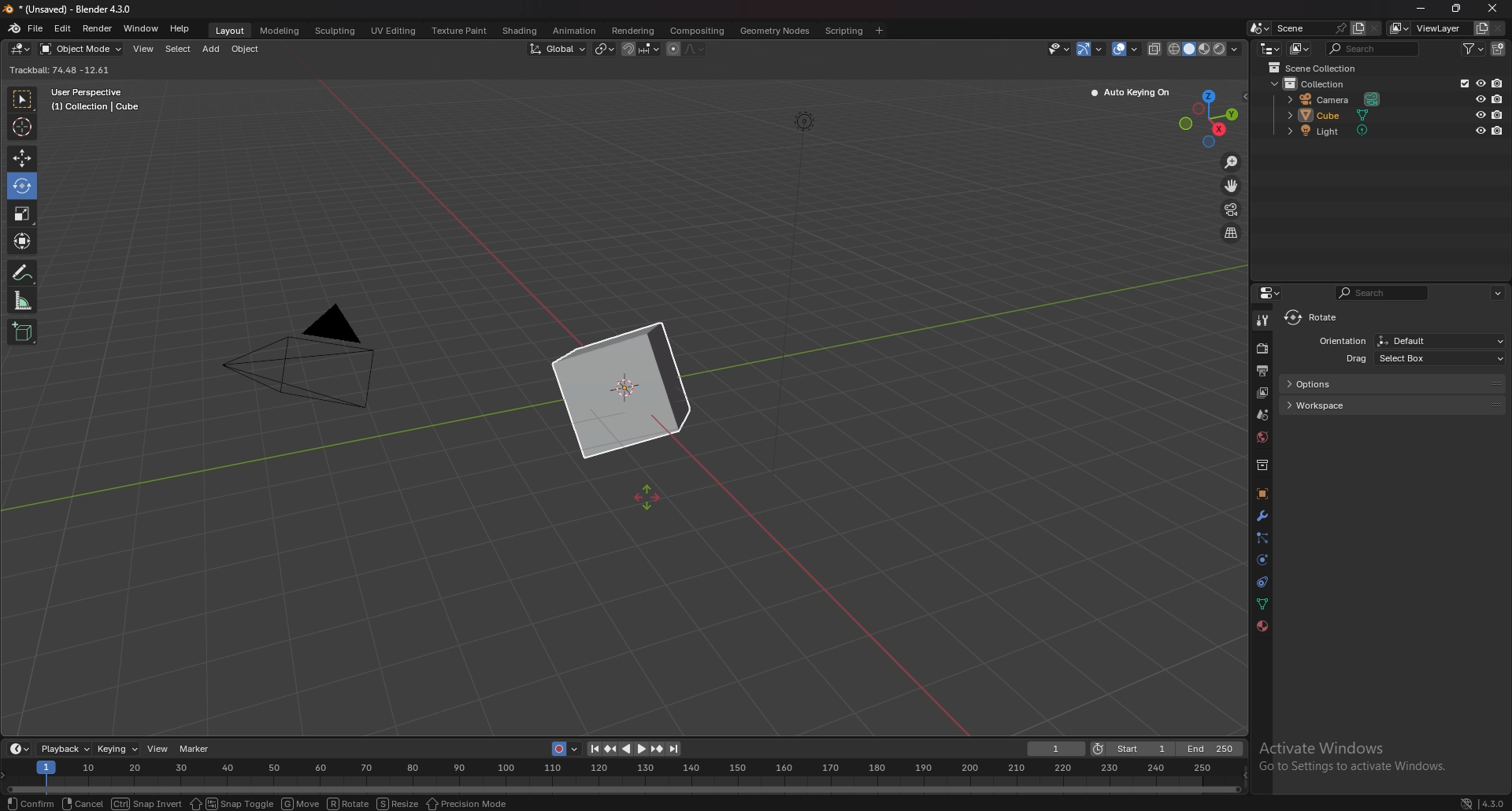  I want to click on jump to key frame, so click(657, 749).